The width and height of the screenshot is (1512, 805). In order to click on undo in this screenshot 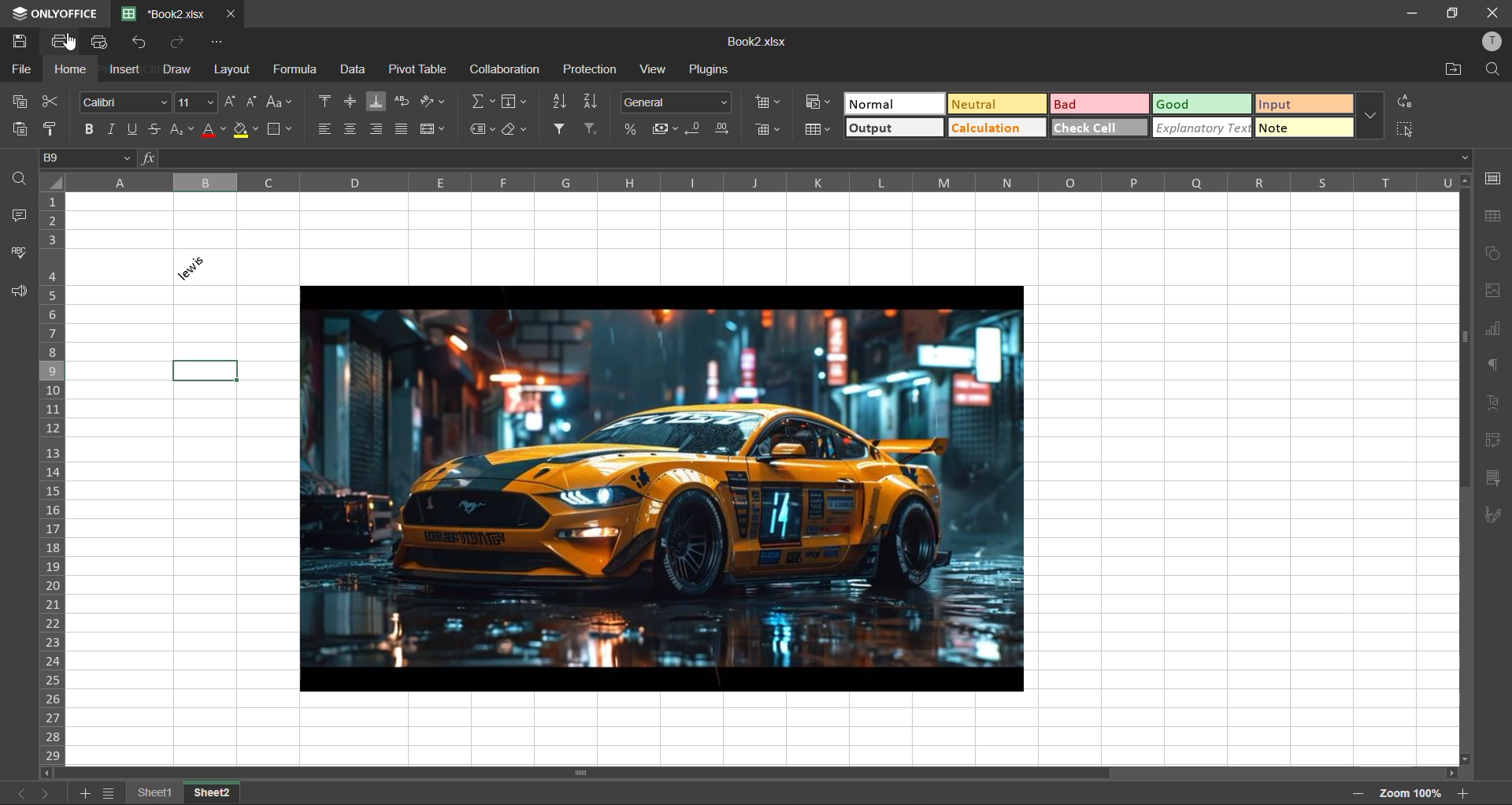, I will do `click(141, 45)`.